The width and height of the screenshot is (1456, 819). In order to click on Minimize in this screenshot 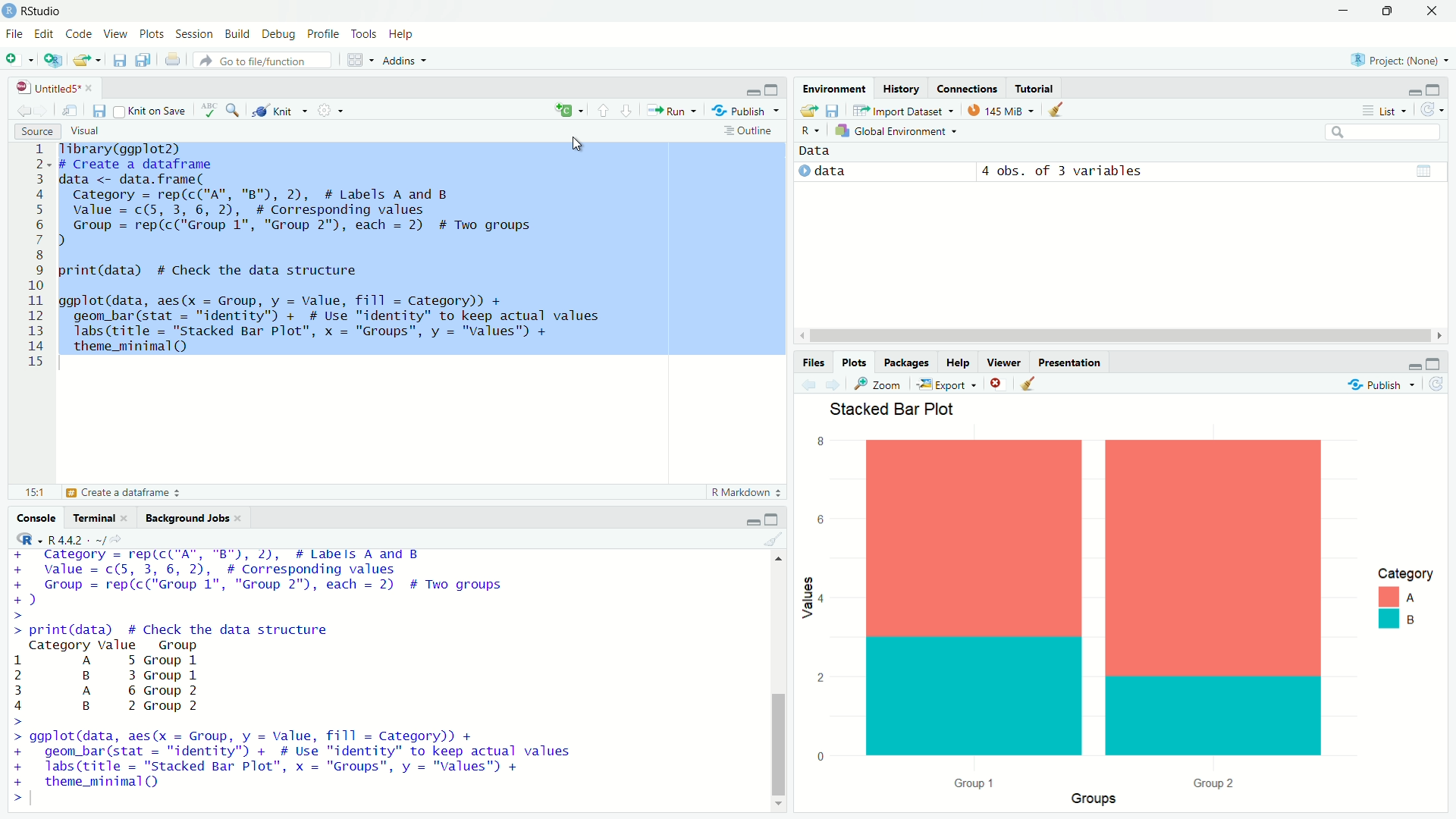, I will do `click(1345, 11)`.